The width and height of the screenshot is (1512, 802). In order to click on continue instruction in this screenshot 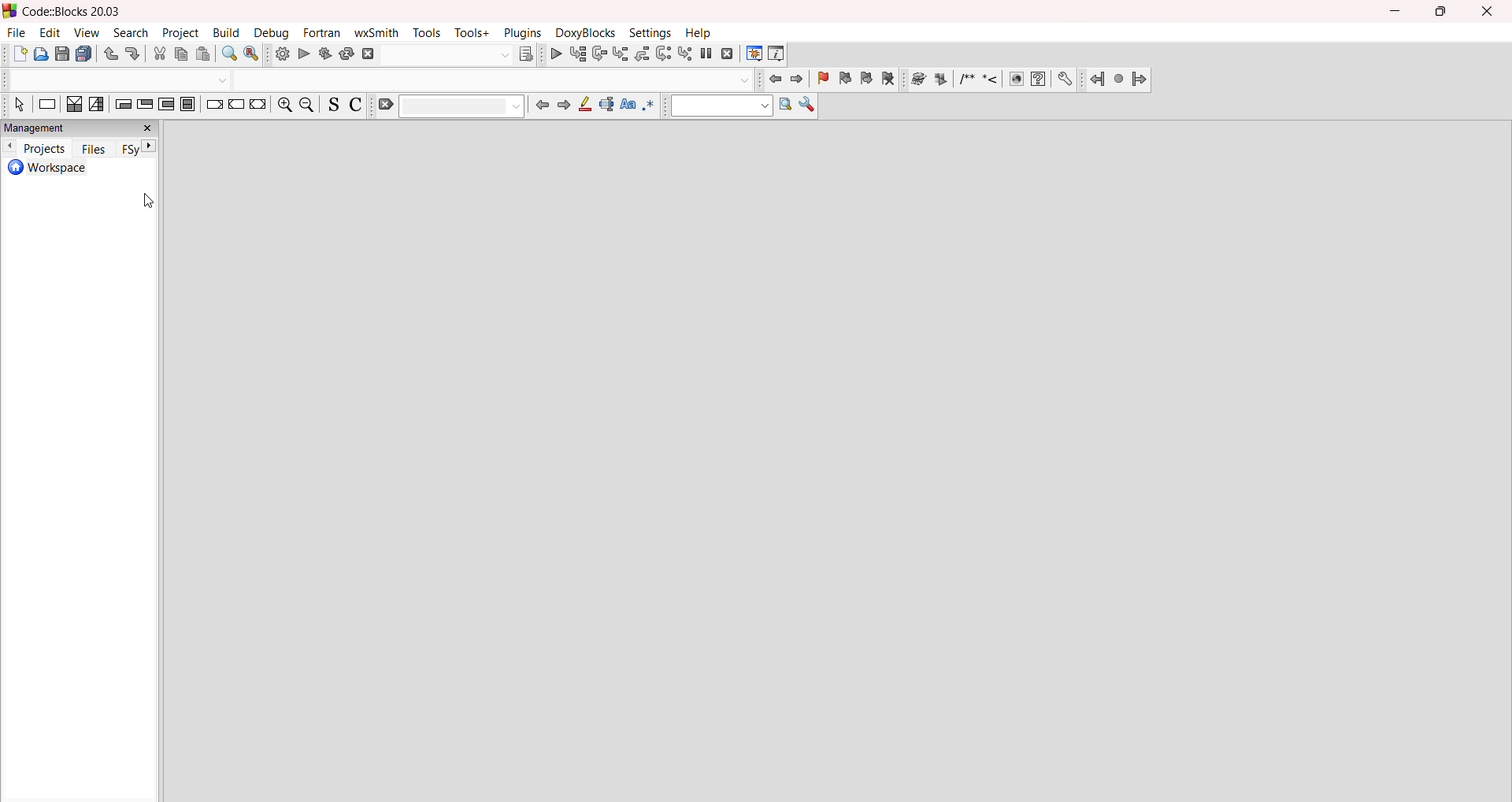, I will do `click(237, 105)`.